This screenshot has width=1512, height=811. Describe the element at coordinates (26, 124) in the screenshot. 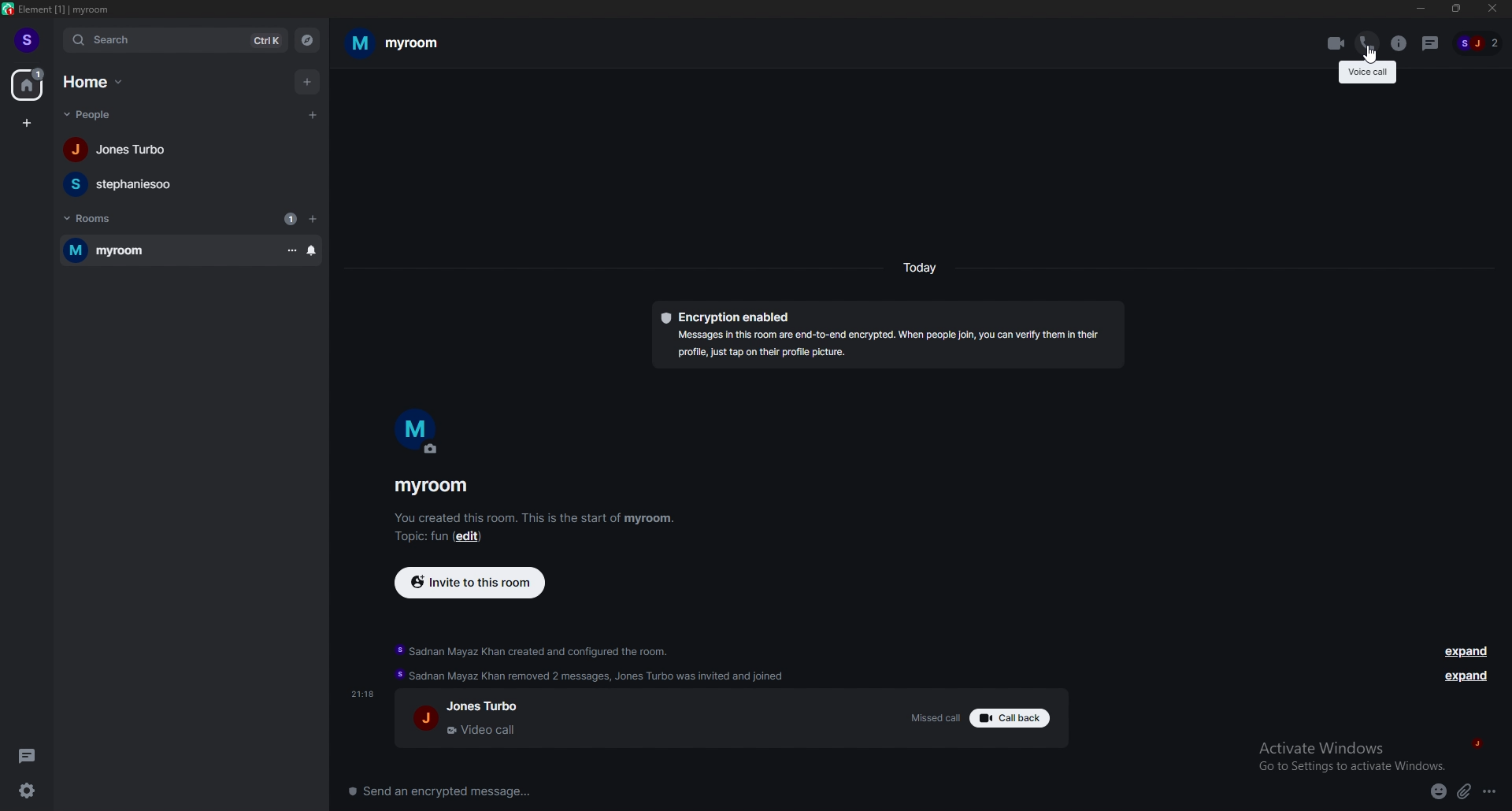

I see `create a space` at that location.